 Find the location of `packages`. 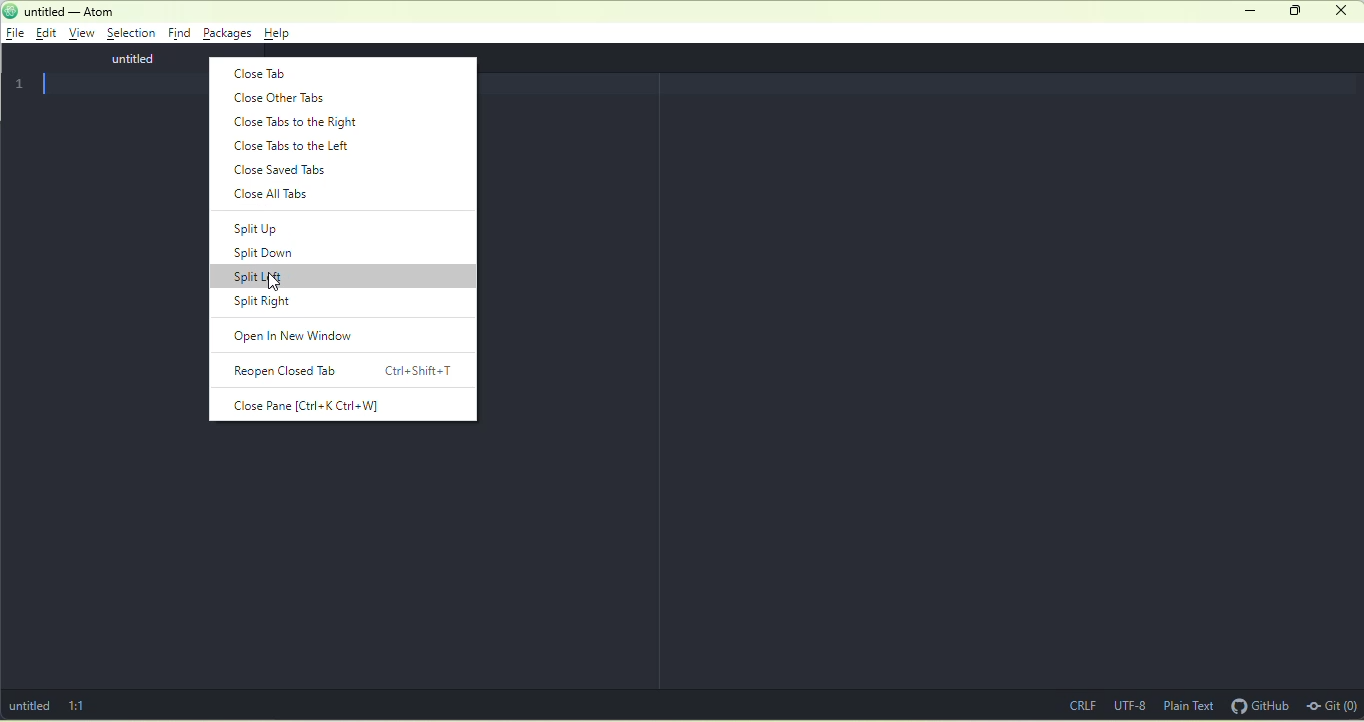

packages is located at coordinates (227, 34).